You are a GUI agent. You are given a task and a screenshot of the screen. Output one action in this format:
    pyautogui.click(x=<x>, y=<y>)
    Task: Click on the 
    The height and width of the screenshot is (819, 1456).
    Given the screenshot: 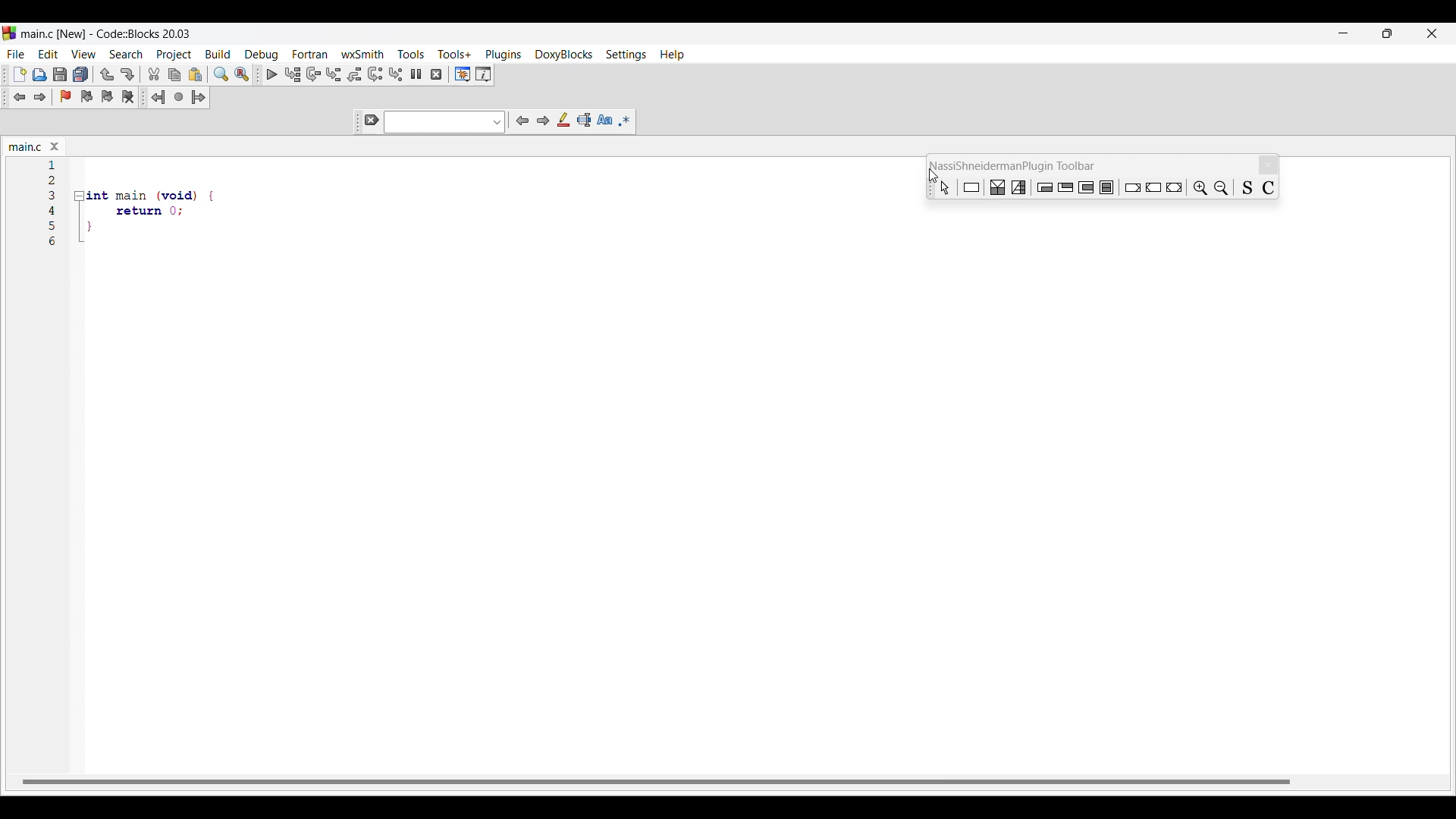 What is the action you would take?
    pyautogui.click(x=973, y=187)
    